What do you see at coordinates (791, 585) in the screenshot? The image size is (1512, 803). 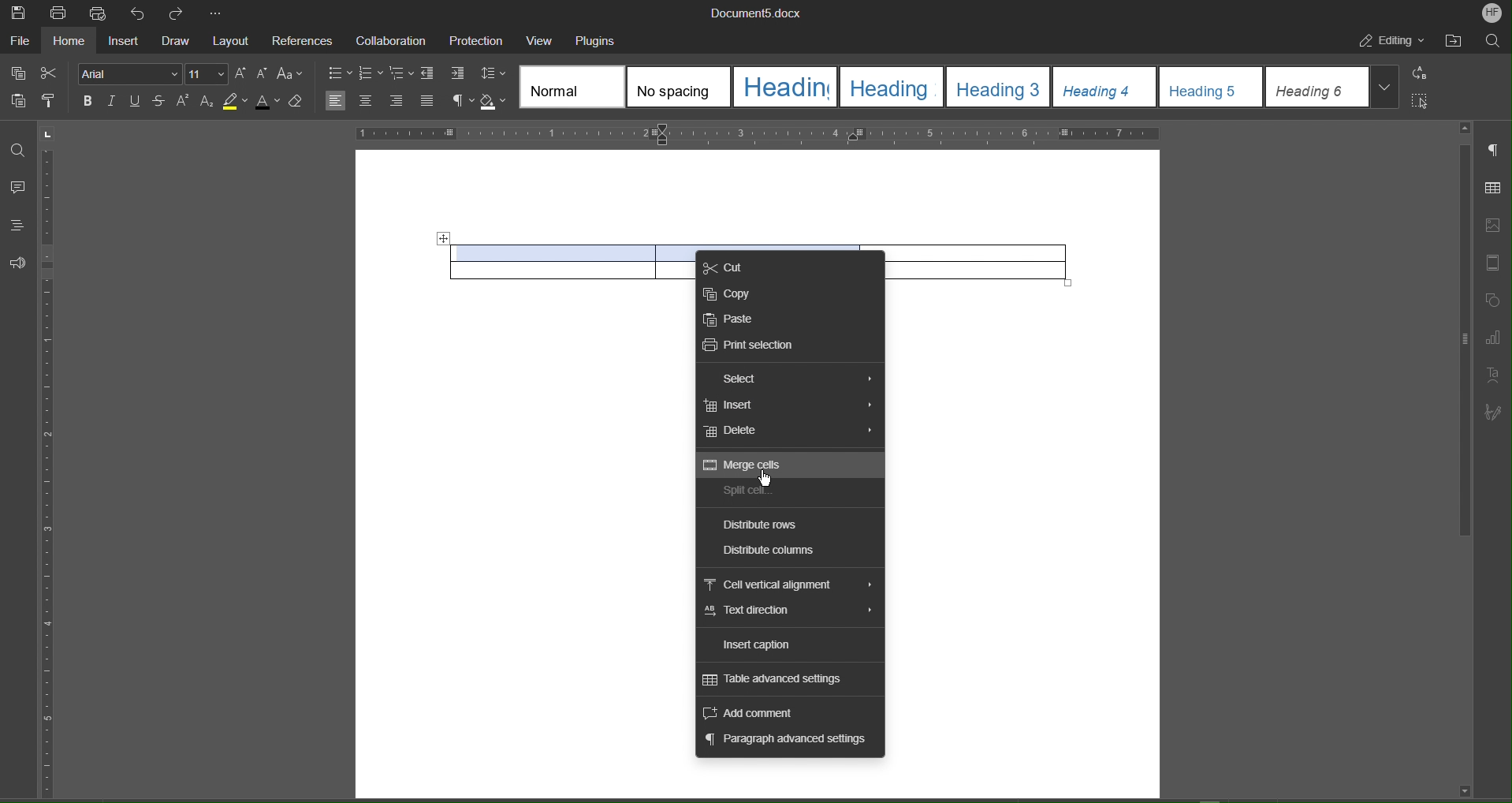 I see `Cell vertical alignment` at bounding box center [791, 585].